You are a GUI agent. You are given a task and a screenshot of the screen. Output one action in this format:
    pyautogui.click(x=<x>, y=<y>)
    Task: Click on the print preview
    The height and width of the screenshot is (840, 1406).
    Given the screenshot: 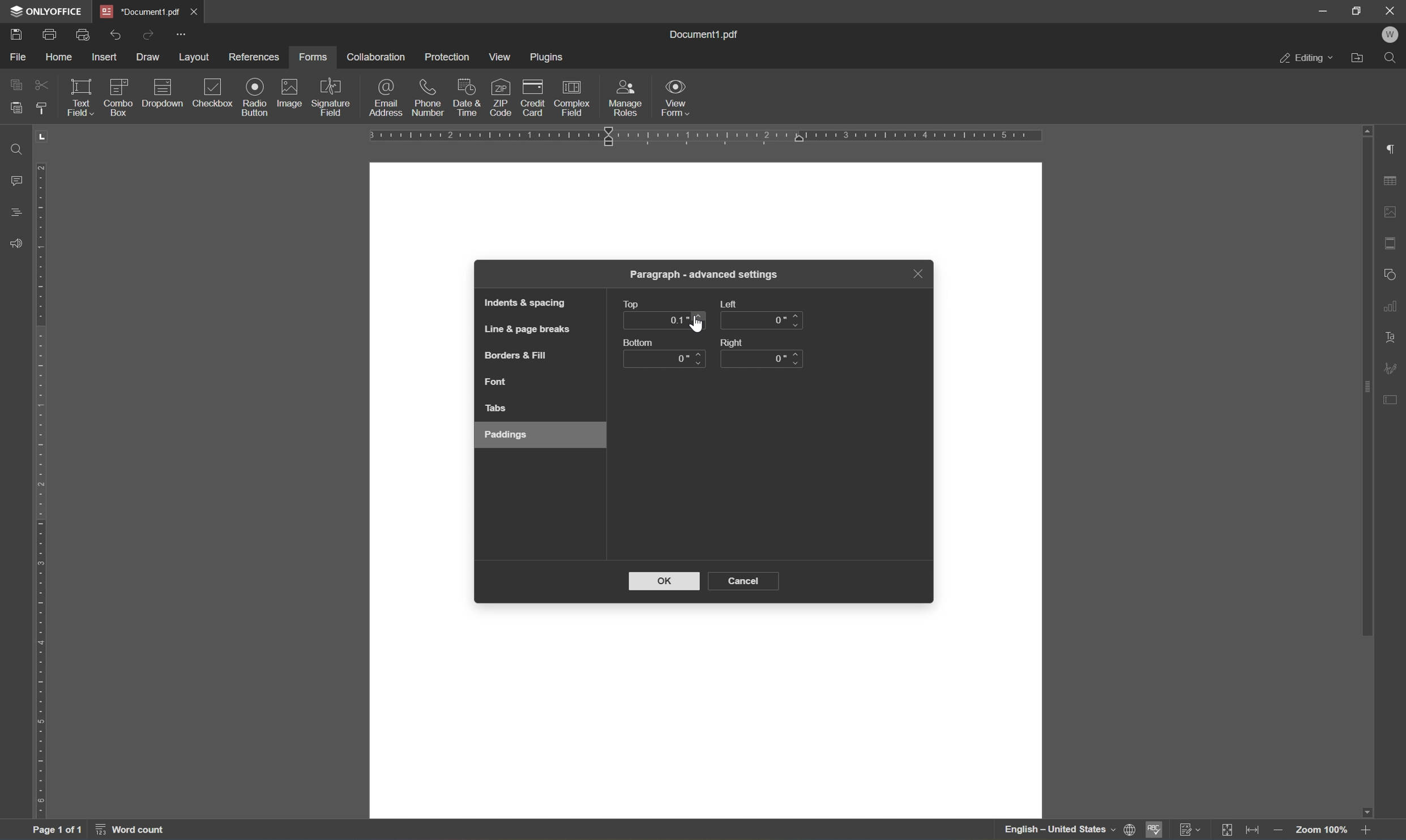 What is the action you would take?
    pyautogui.click(x=84, y=33)
    